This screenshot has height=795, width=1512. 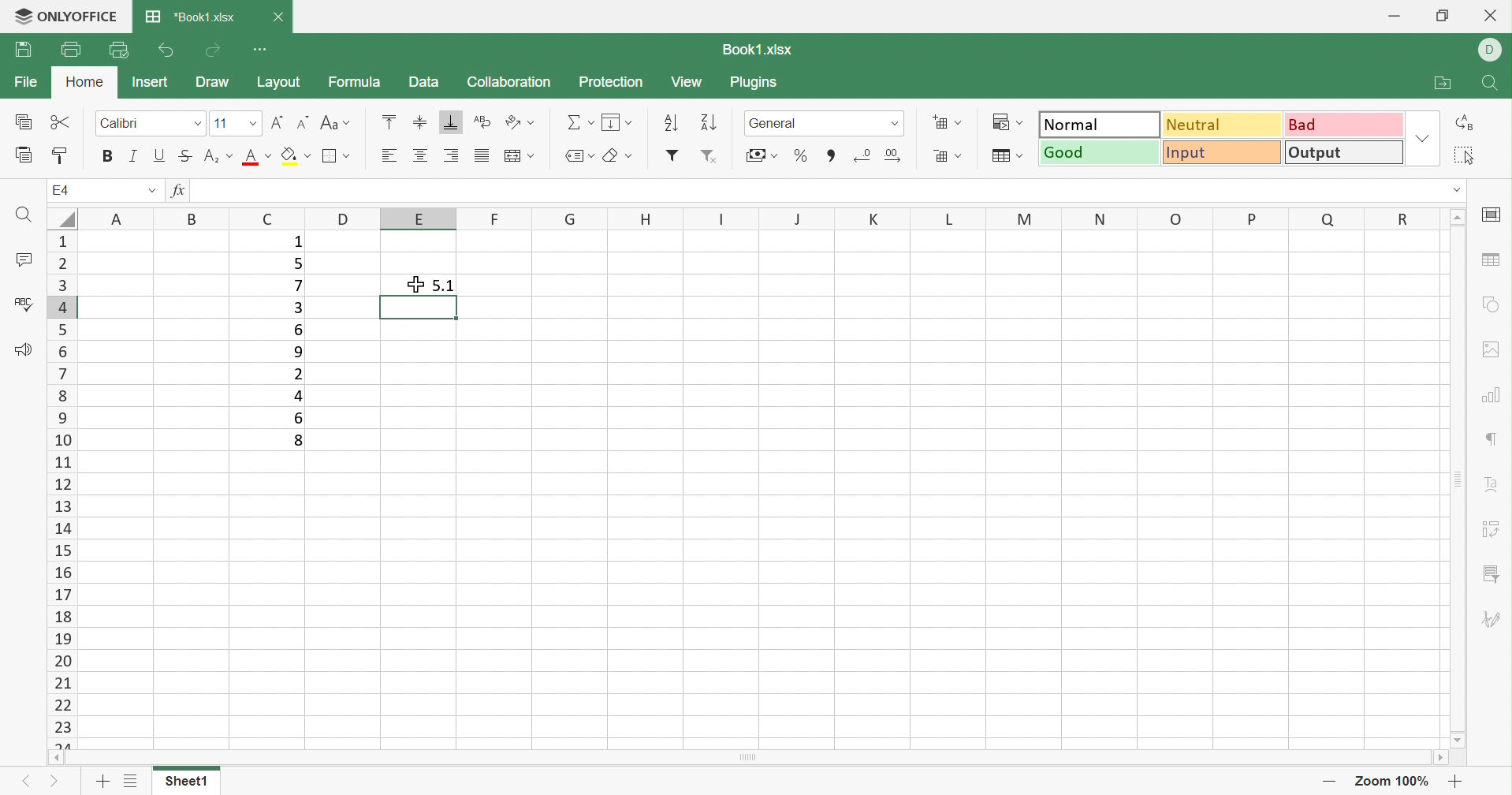 I want to click on Percent style, so click(x=801, y=155).